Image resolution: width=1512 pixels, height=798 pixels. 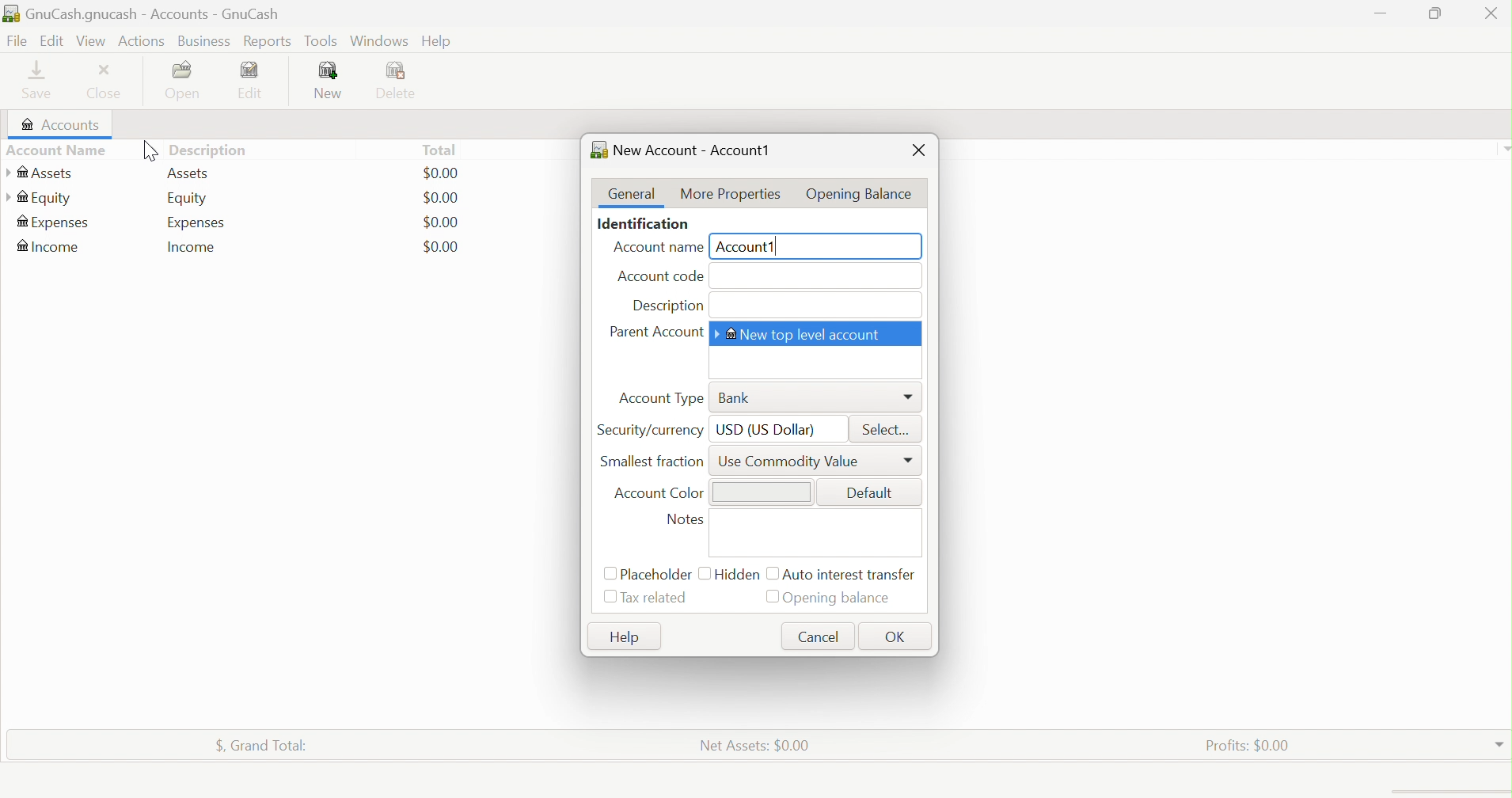 What do you see at coordinates (735, 398) in the screenshot?
I see `Bank` at bounding box center [735, 398].